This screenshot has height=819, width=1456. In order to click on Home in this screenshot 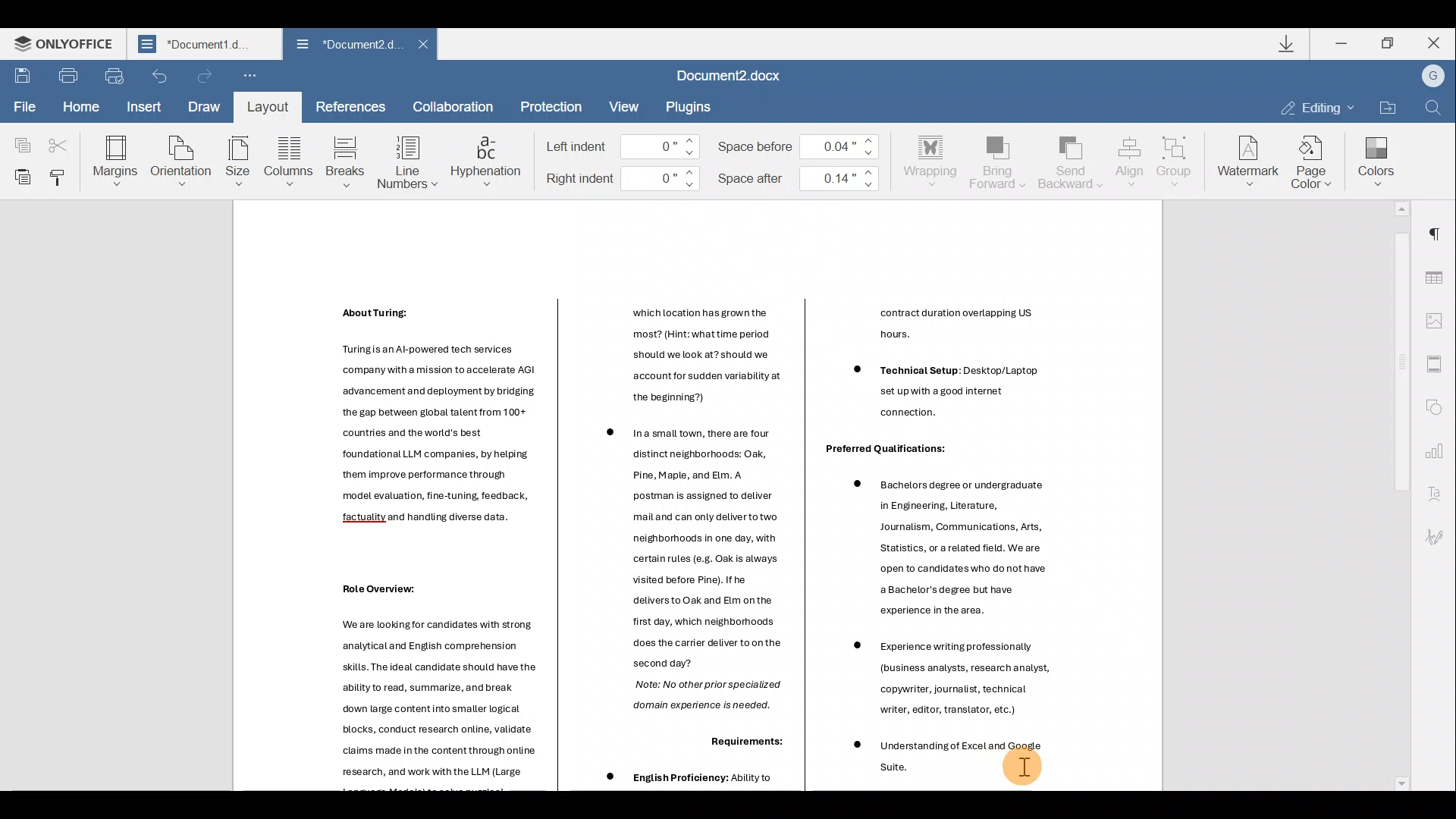, I will do `click(80, 105)`.